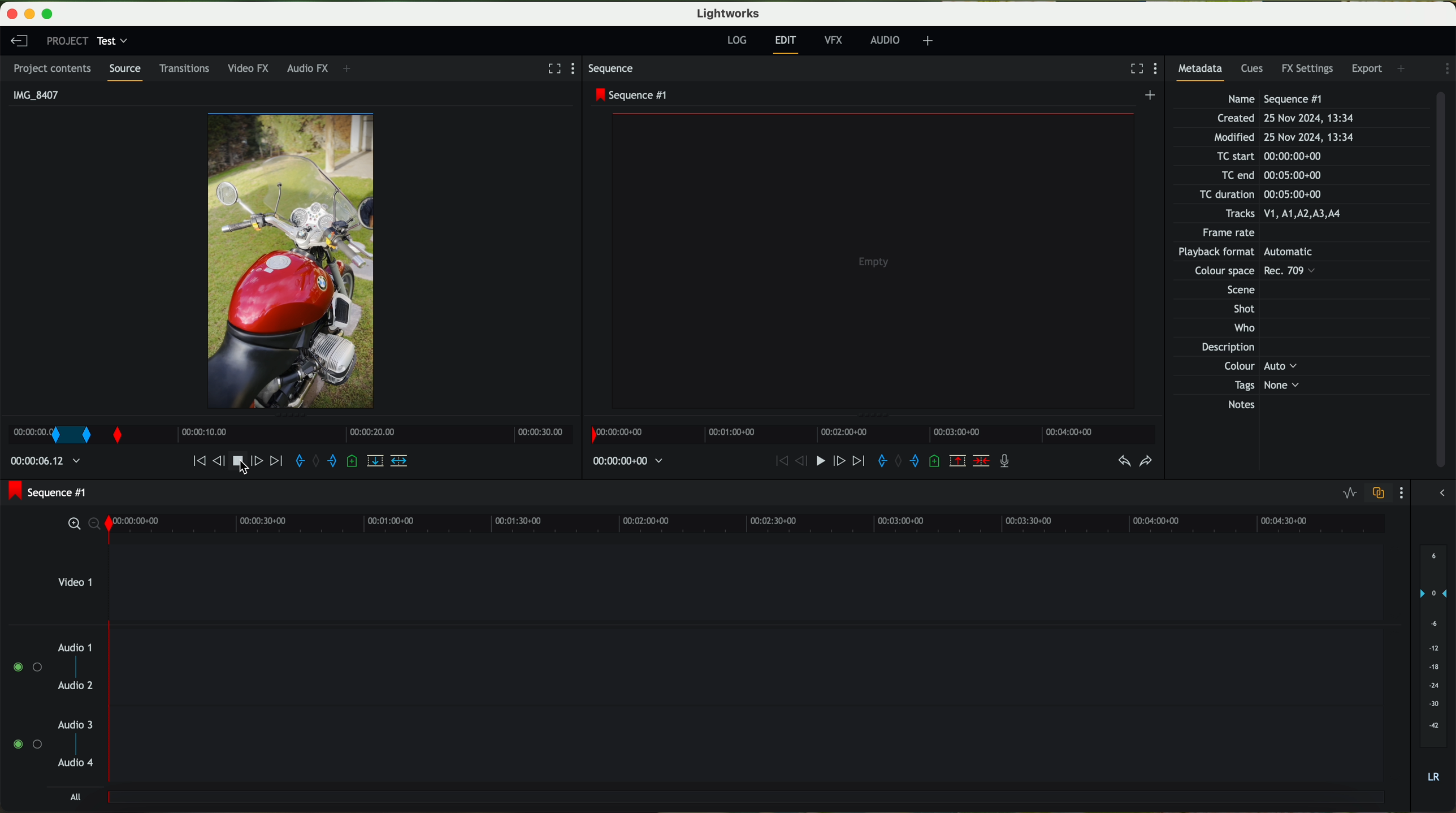 The height and width of the screenshot is (813, 1456). Describe the element at coordinates (836, 42) in the screenshot. I see `VFX` at that location.